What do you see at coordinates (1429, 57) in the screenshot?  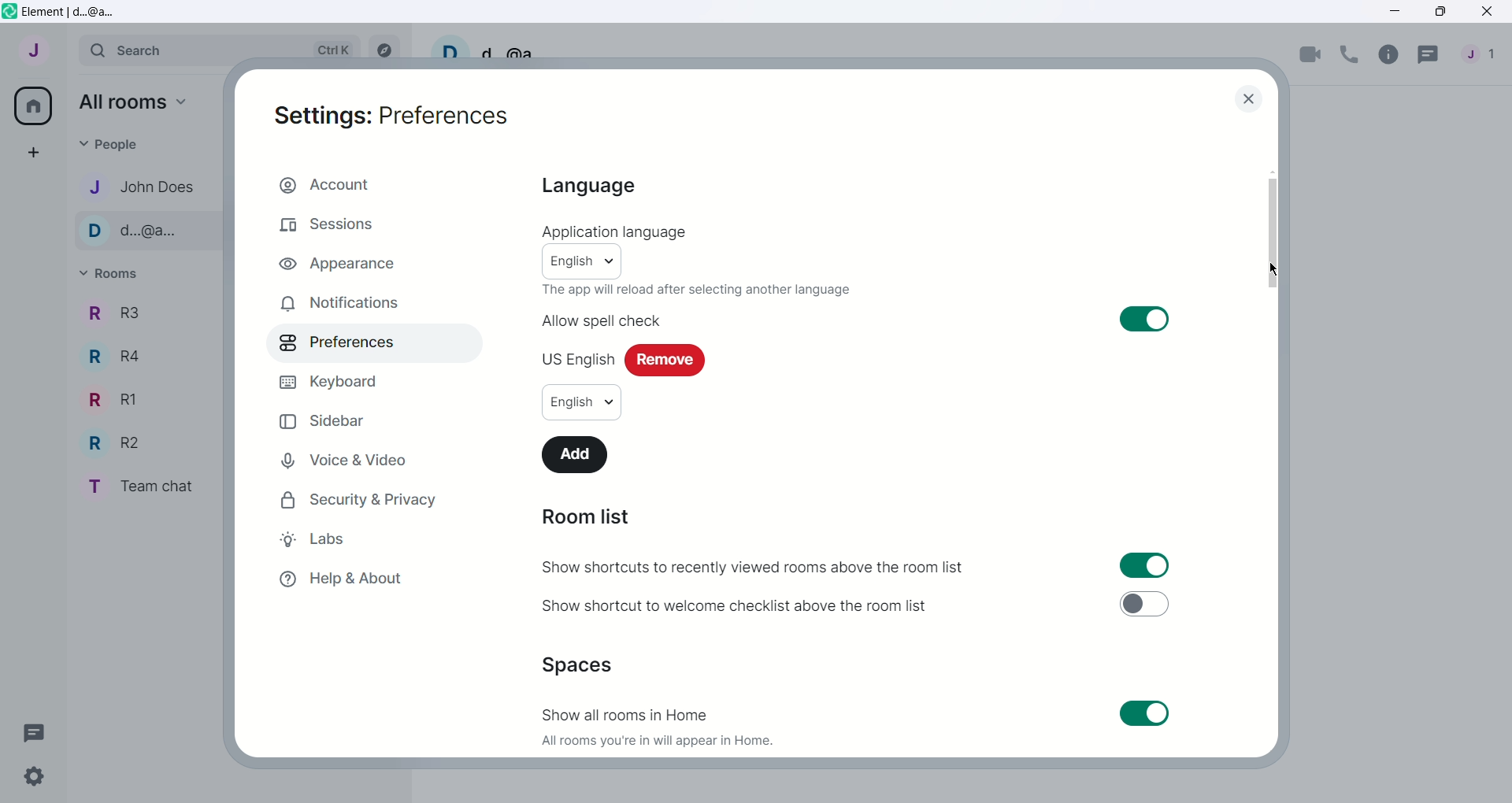 I see `Threads` at bounding box center [1429, 57].